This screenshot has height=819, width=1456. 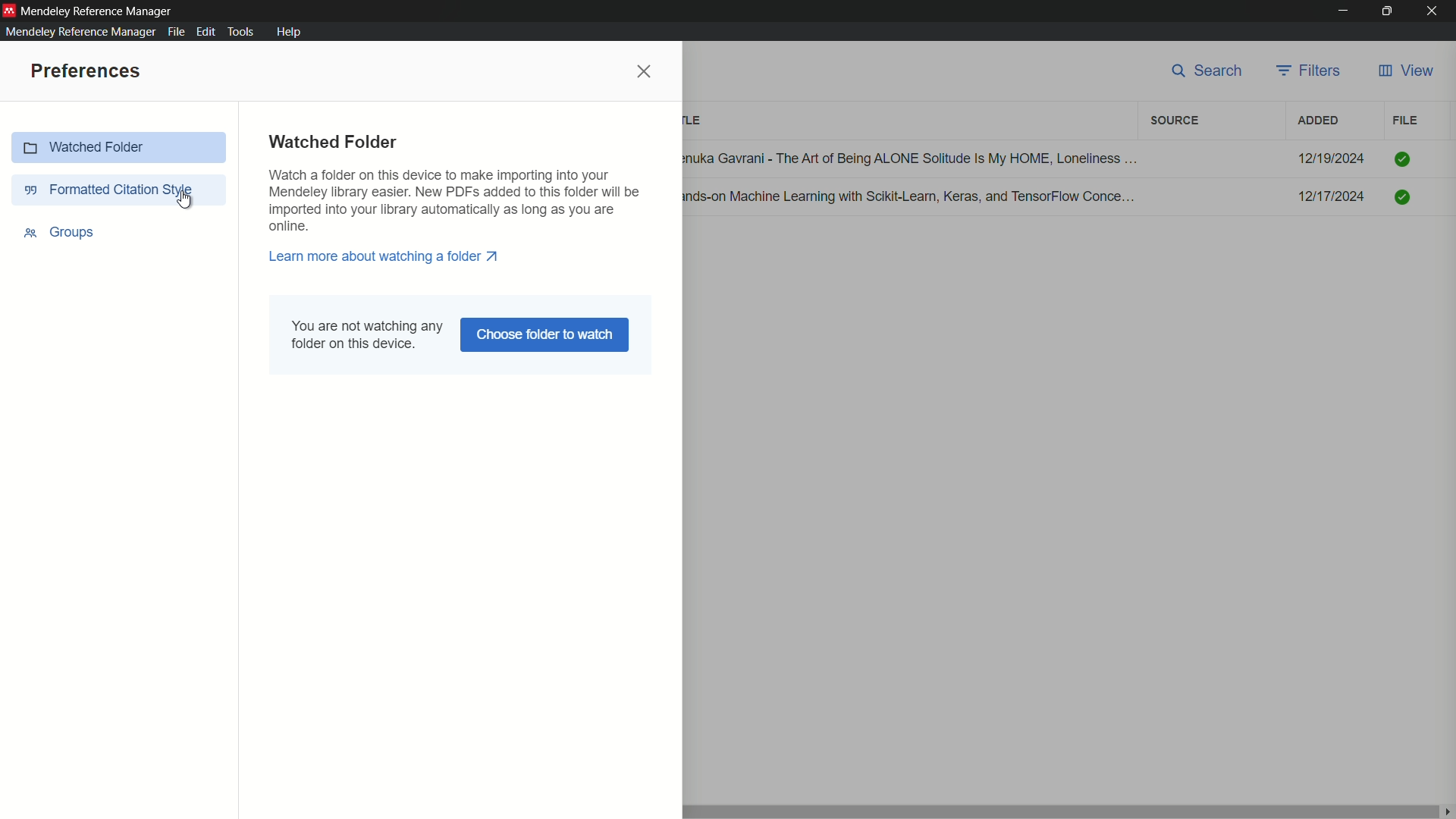 What do you see at coordinates (1402, 195) in the screenshot?
I see `Checked` at bounding box center [1402, 195].